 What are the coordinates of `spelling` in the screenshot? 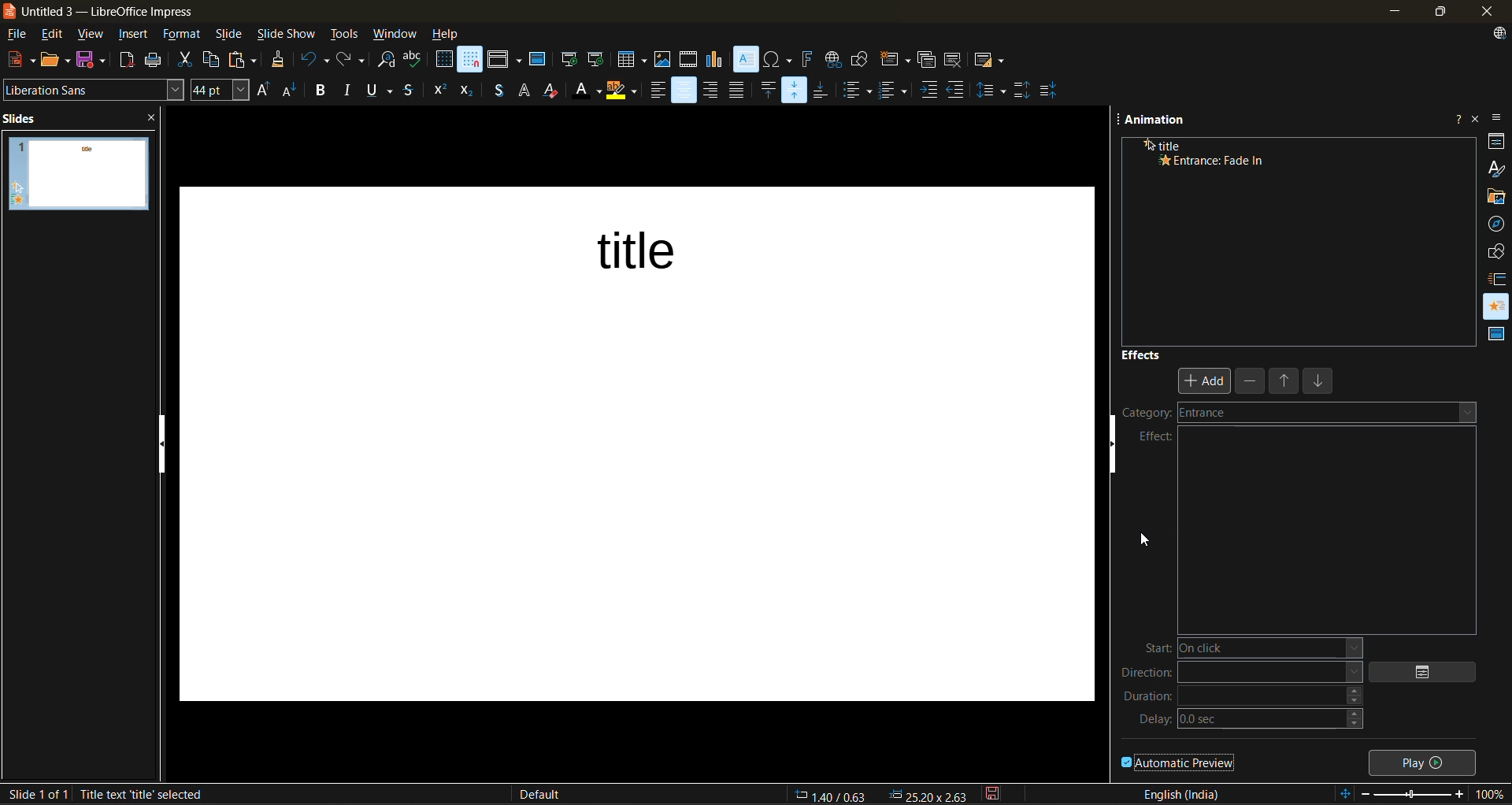 It's located at (414, 60).